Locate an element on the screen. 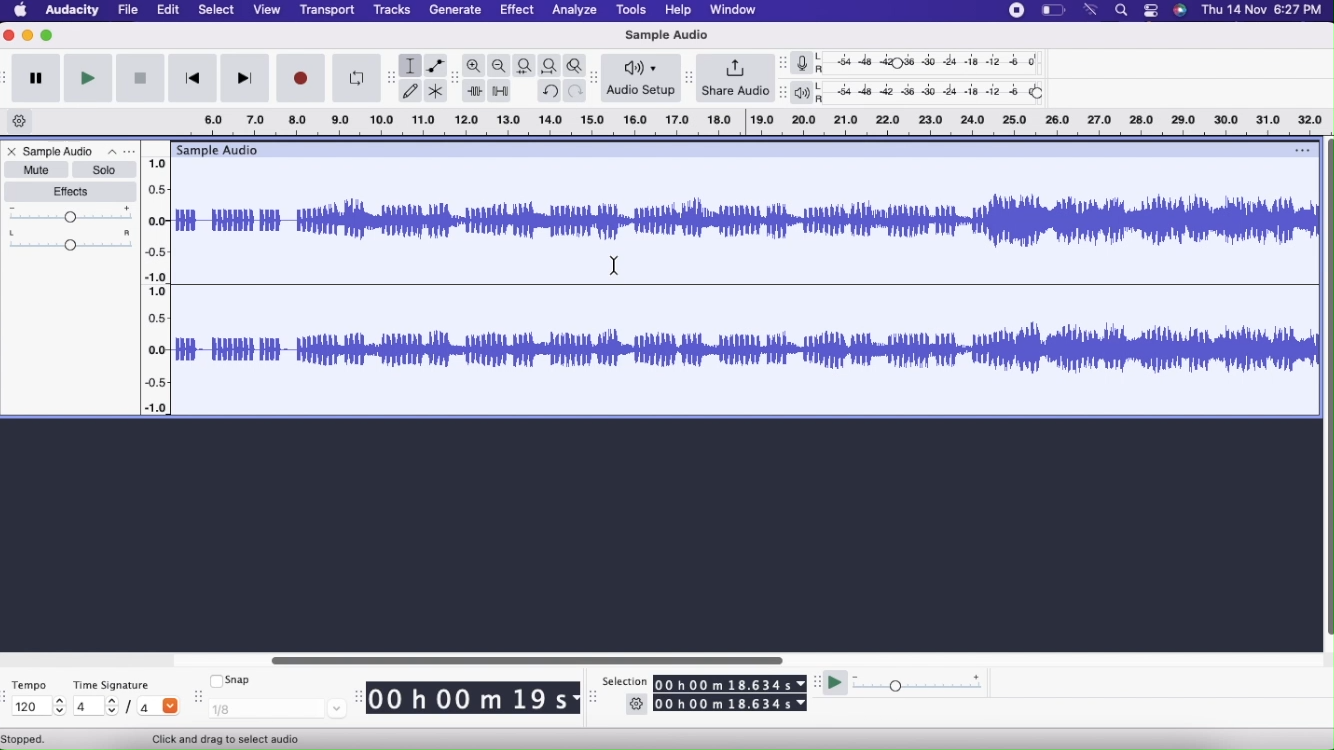 Image resolution: width=1334 pixels, height=750 pixels. Undo is located at coordinates (549, 91).